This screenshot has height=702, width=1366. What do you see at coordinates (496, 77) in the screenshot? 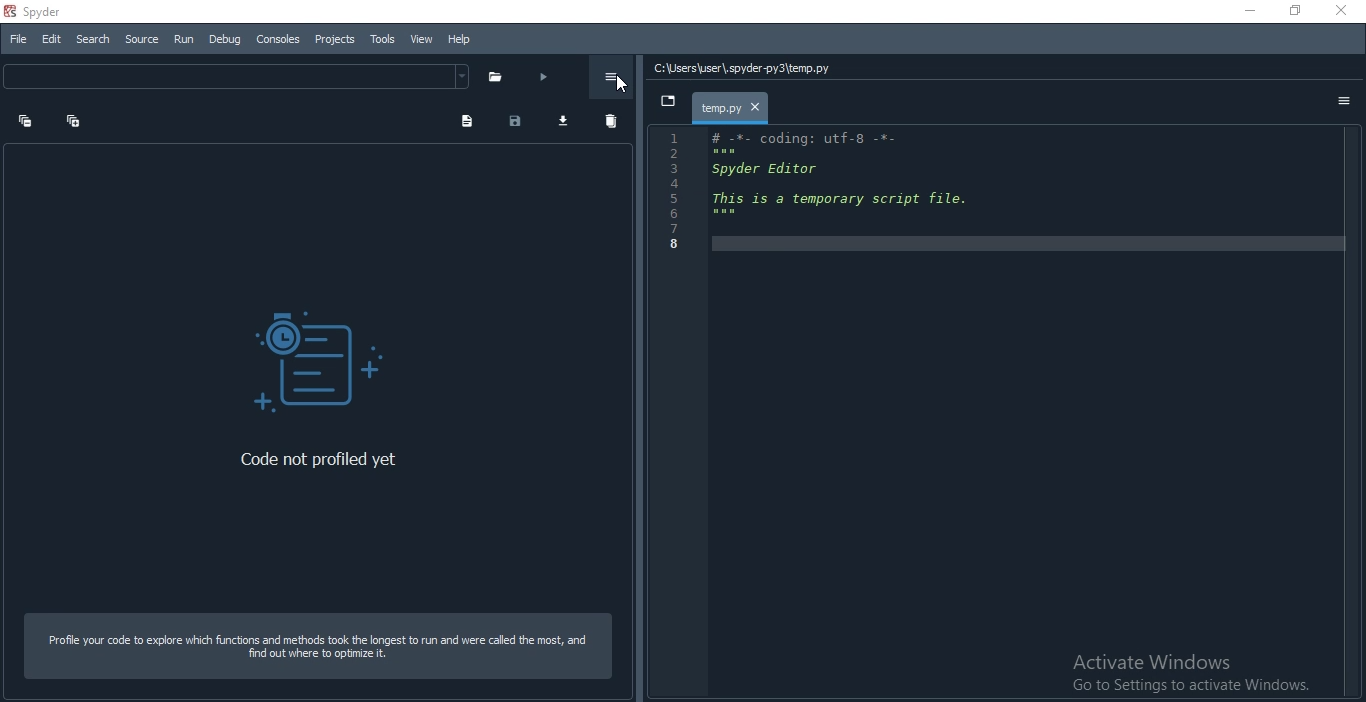
I see `folder` at bounding box center [496, 77].